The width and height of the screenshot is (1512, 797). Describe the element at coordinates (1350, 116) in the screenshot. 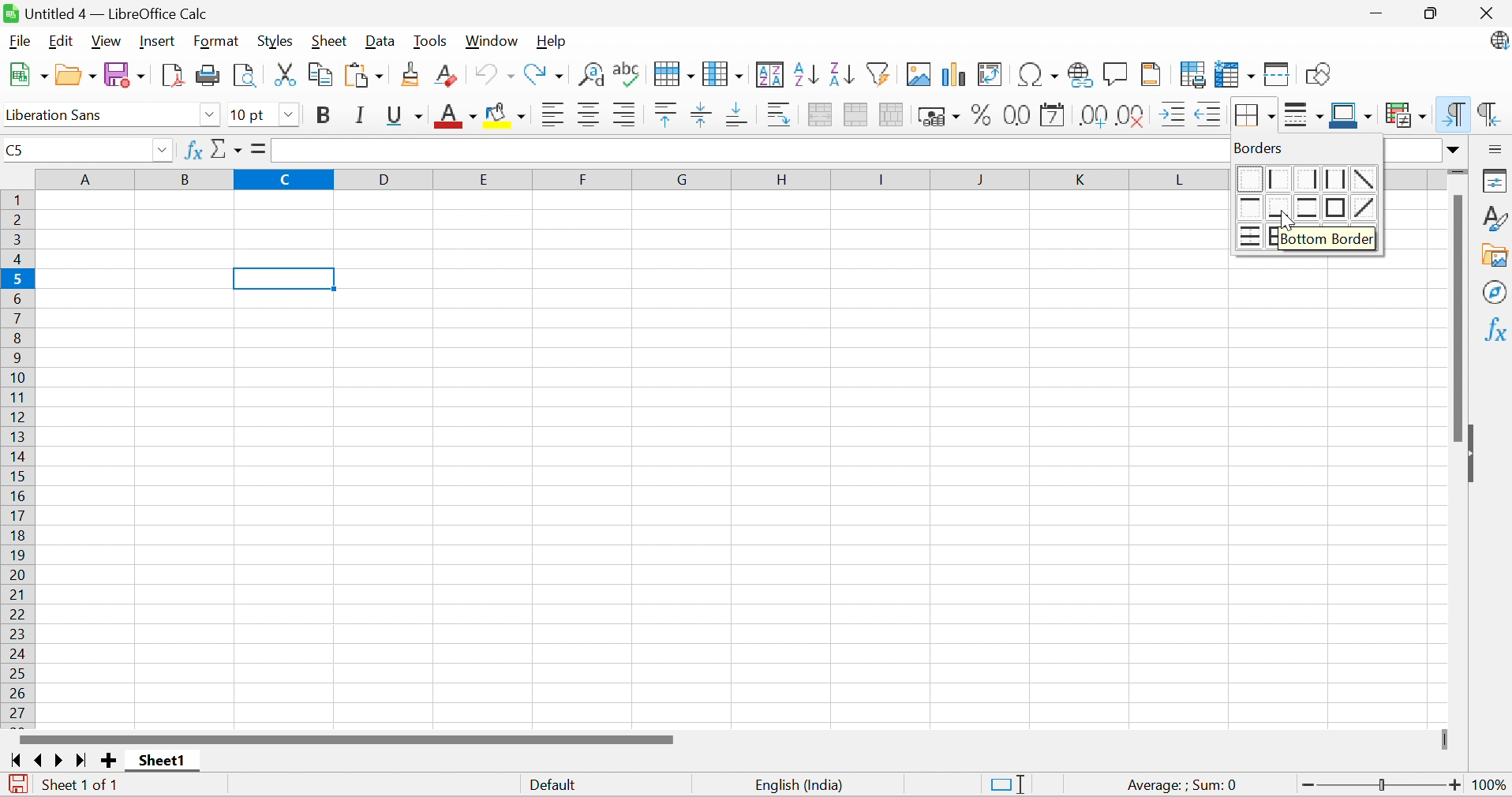

I see `Border color` at that location.